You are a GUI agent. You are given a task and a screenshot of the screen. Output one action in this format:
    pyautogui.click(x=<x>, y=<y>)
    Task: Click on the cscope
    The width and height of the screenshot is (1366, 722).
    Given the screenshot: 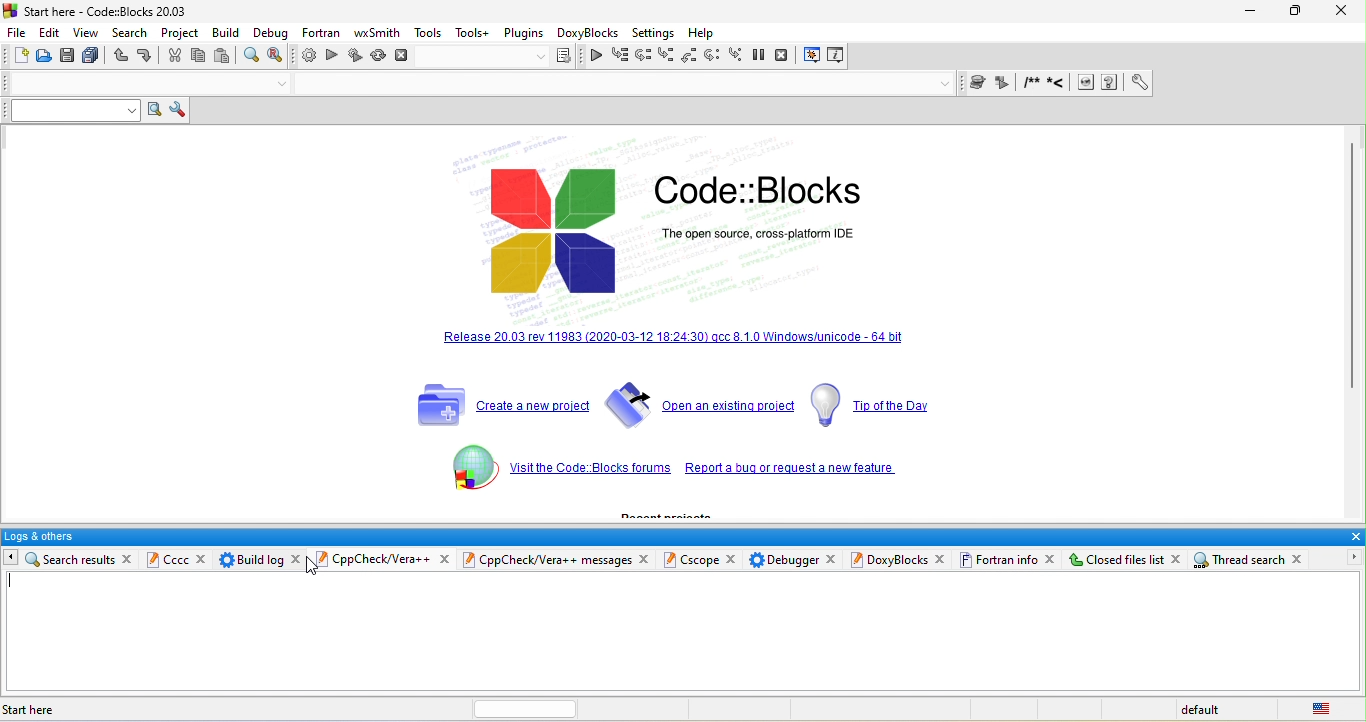 What is the action you would take?
    pyautogui.click(x=695, y=560)
    